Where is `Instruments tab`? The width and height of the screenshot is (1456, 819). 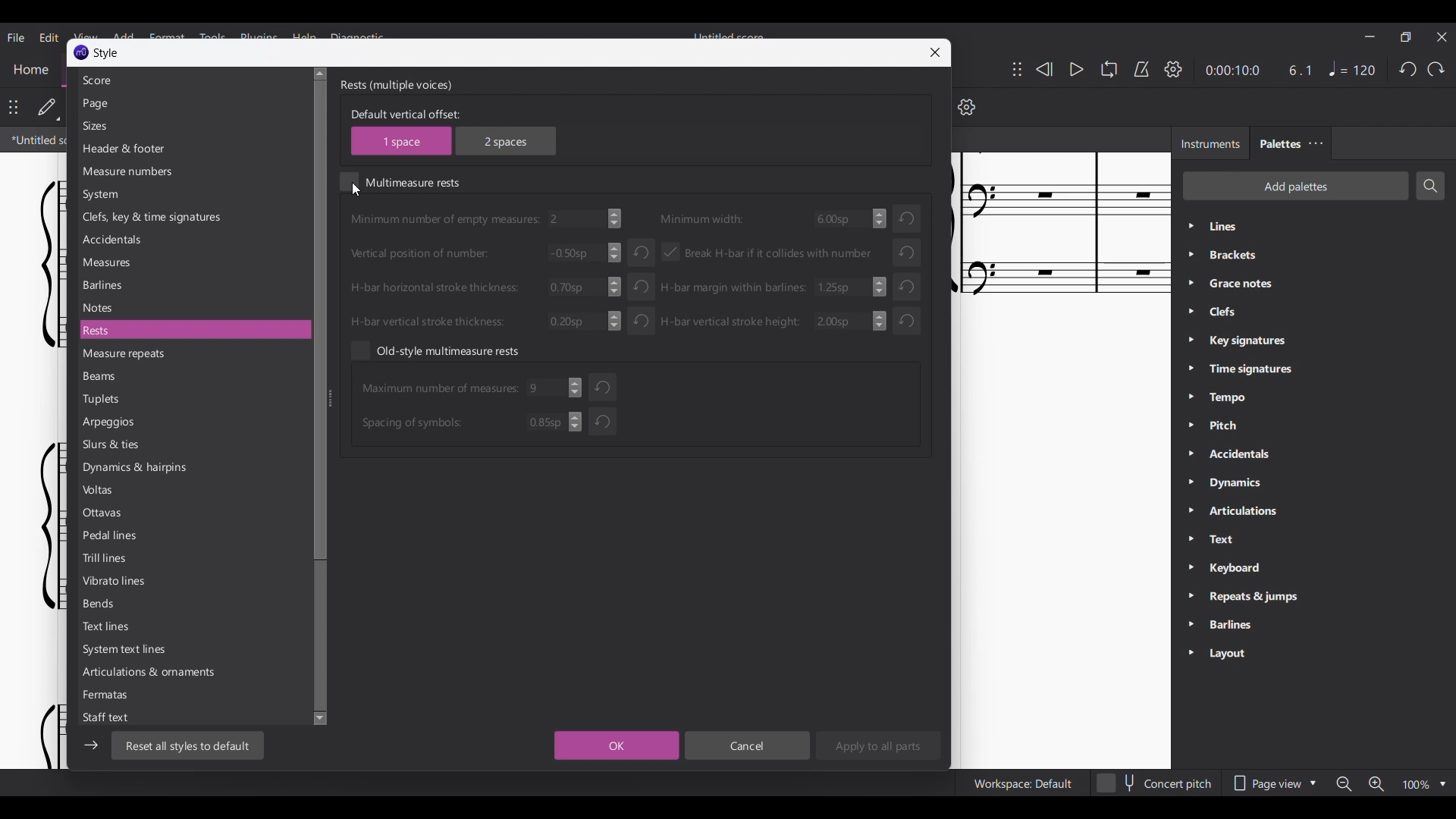
Instruments tab is located at coordinates (1210, 143).